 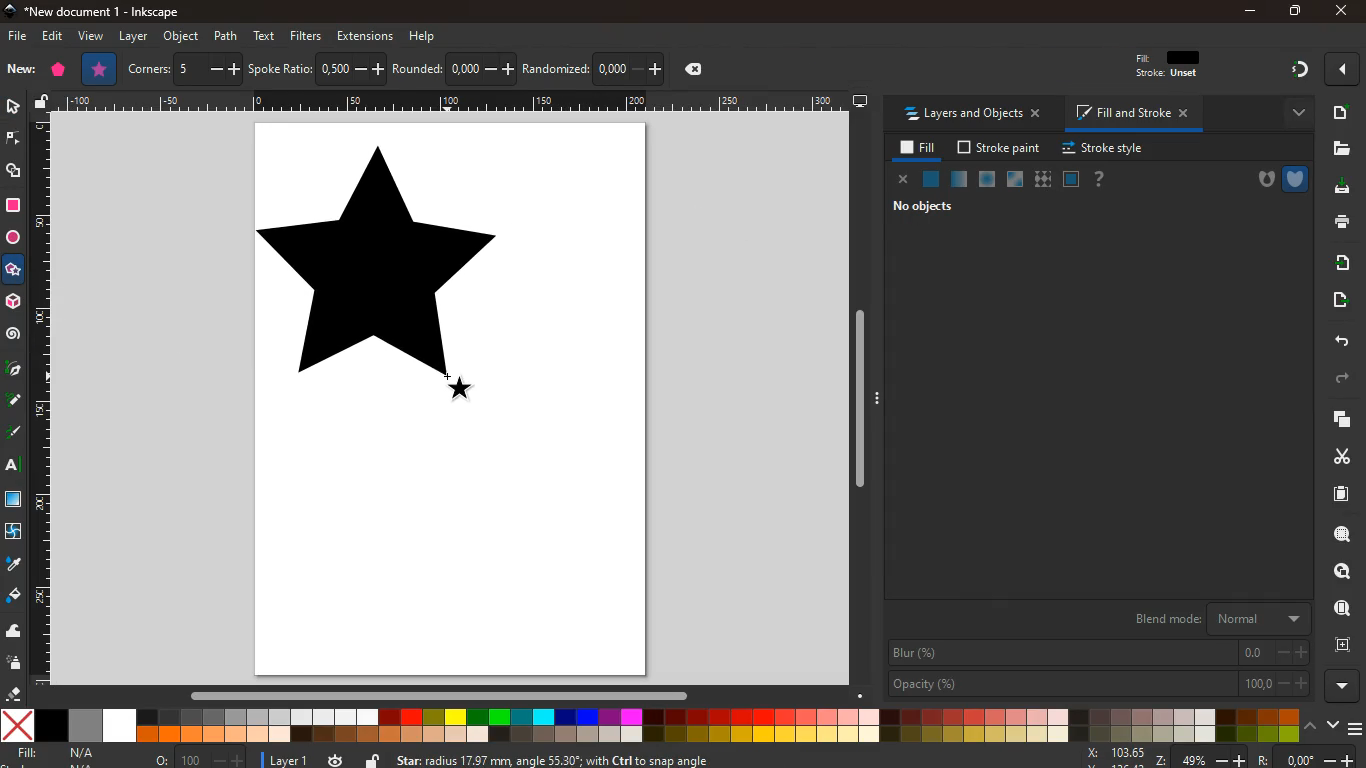 What do you see at coordinates (14, 564) in the screenshot?
I see `drop` at bounding box center [14, 564].